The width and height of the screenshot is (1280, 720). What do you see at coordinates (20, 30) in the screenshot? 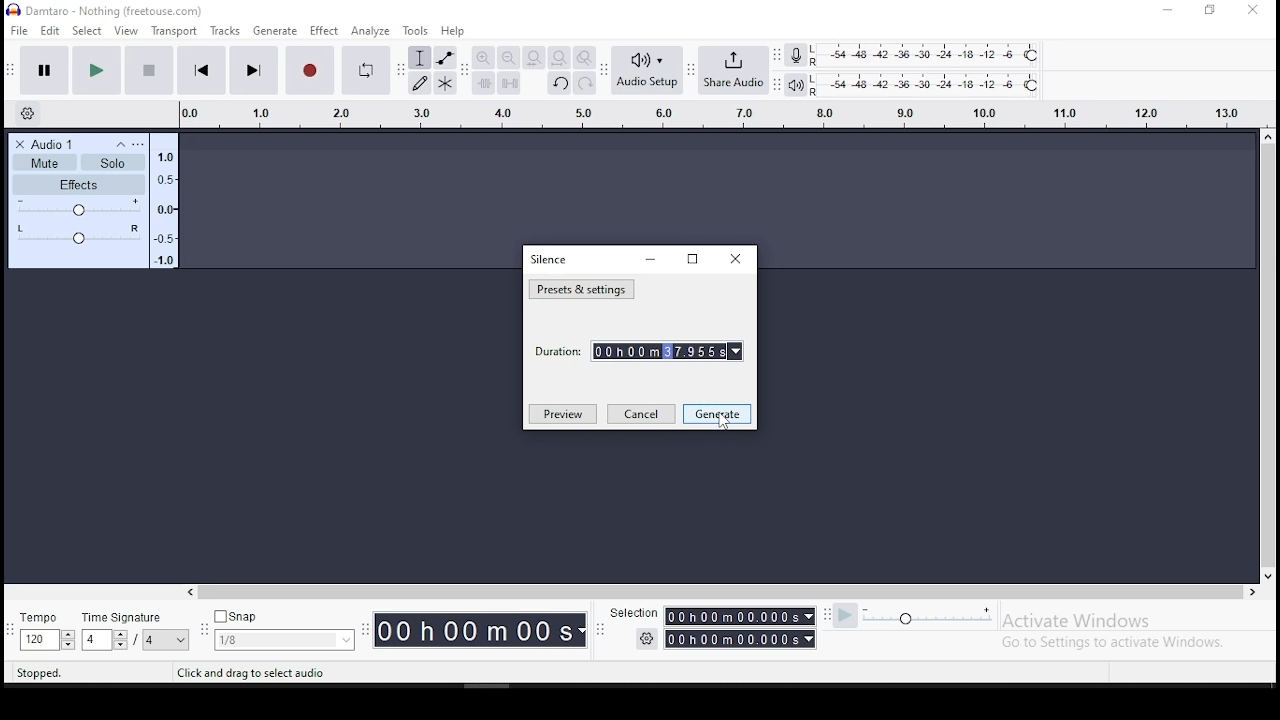
I see `file` at bounding box center [20, 30].